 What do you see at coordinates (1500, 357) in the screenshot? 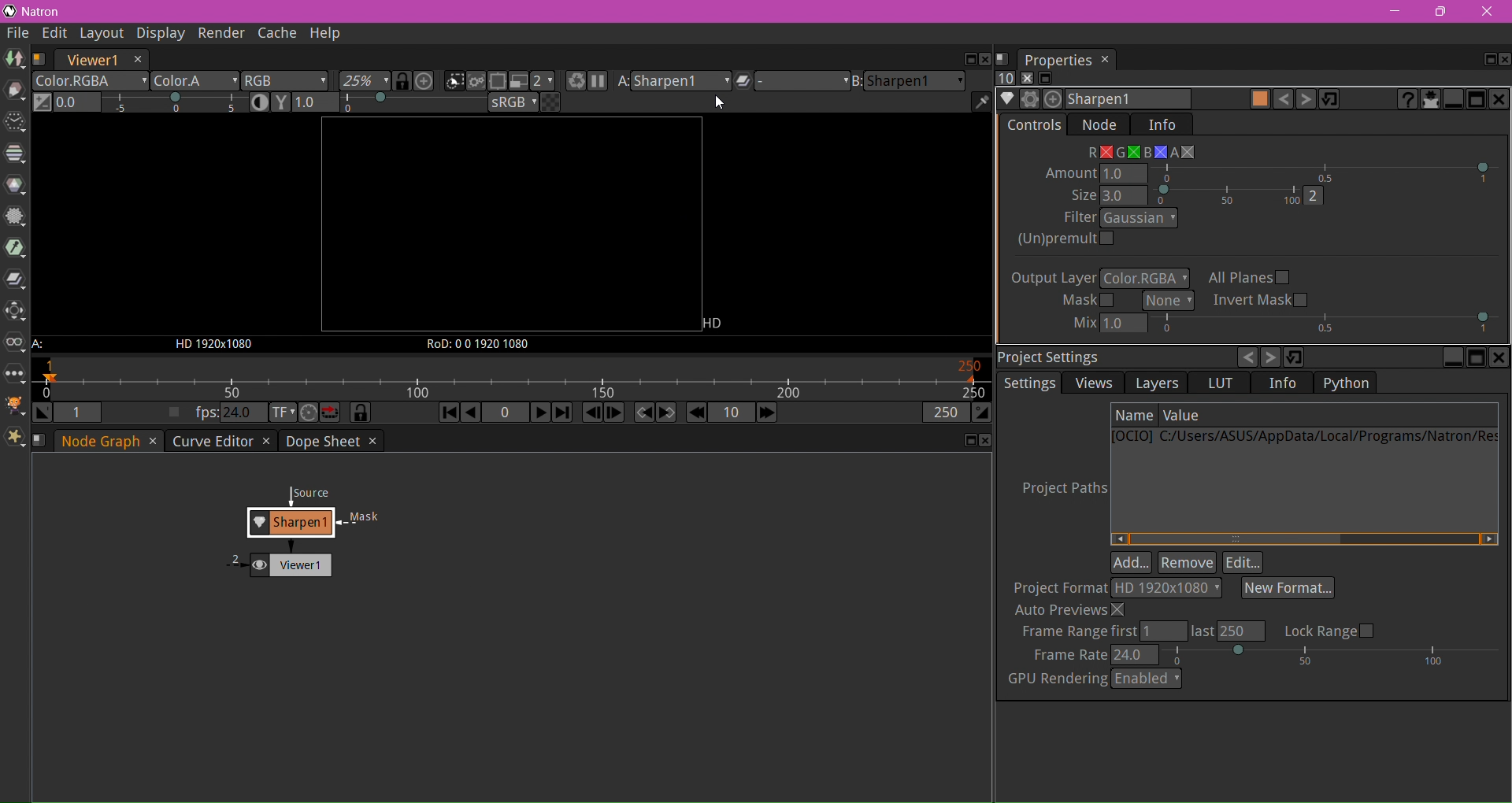
I see `Close` at bounding box center [1500, 357].